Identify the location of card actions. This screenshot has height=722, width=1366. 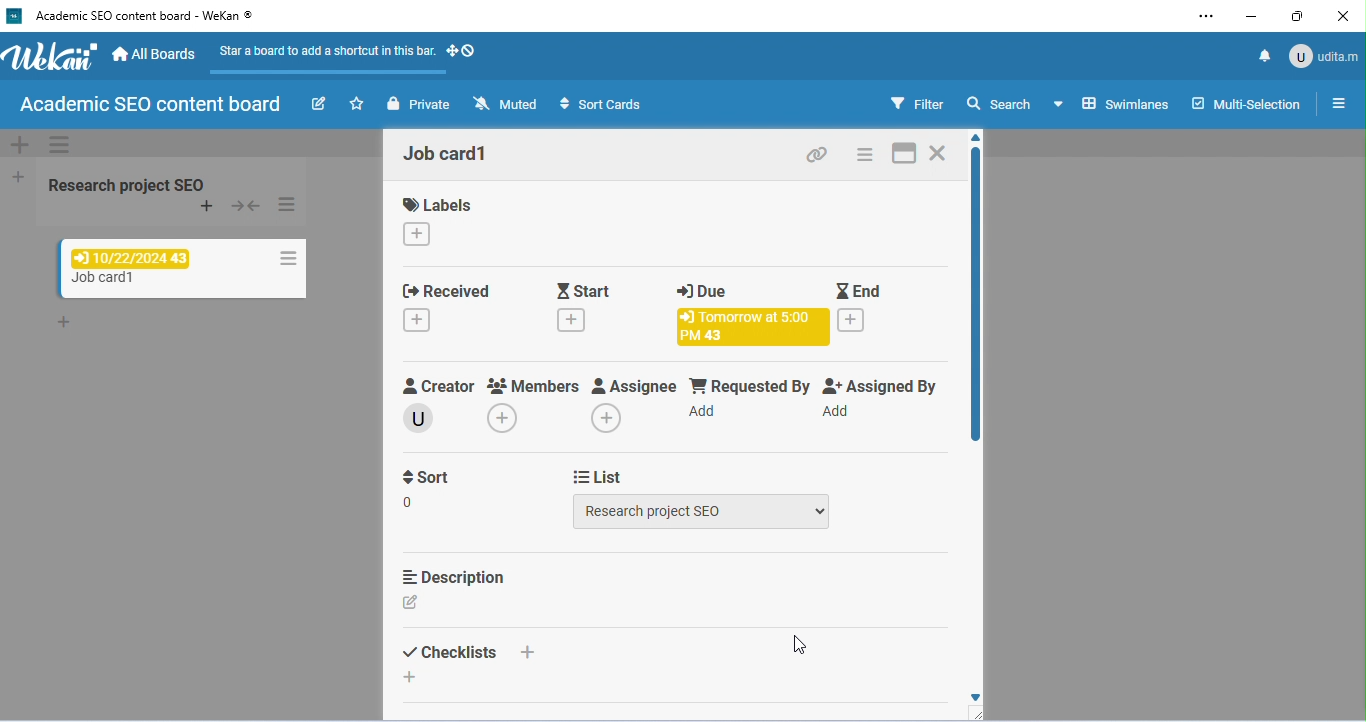
(867, 153).